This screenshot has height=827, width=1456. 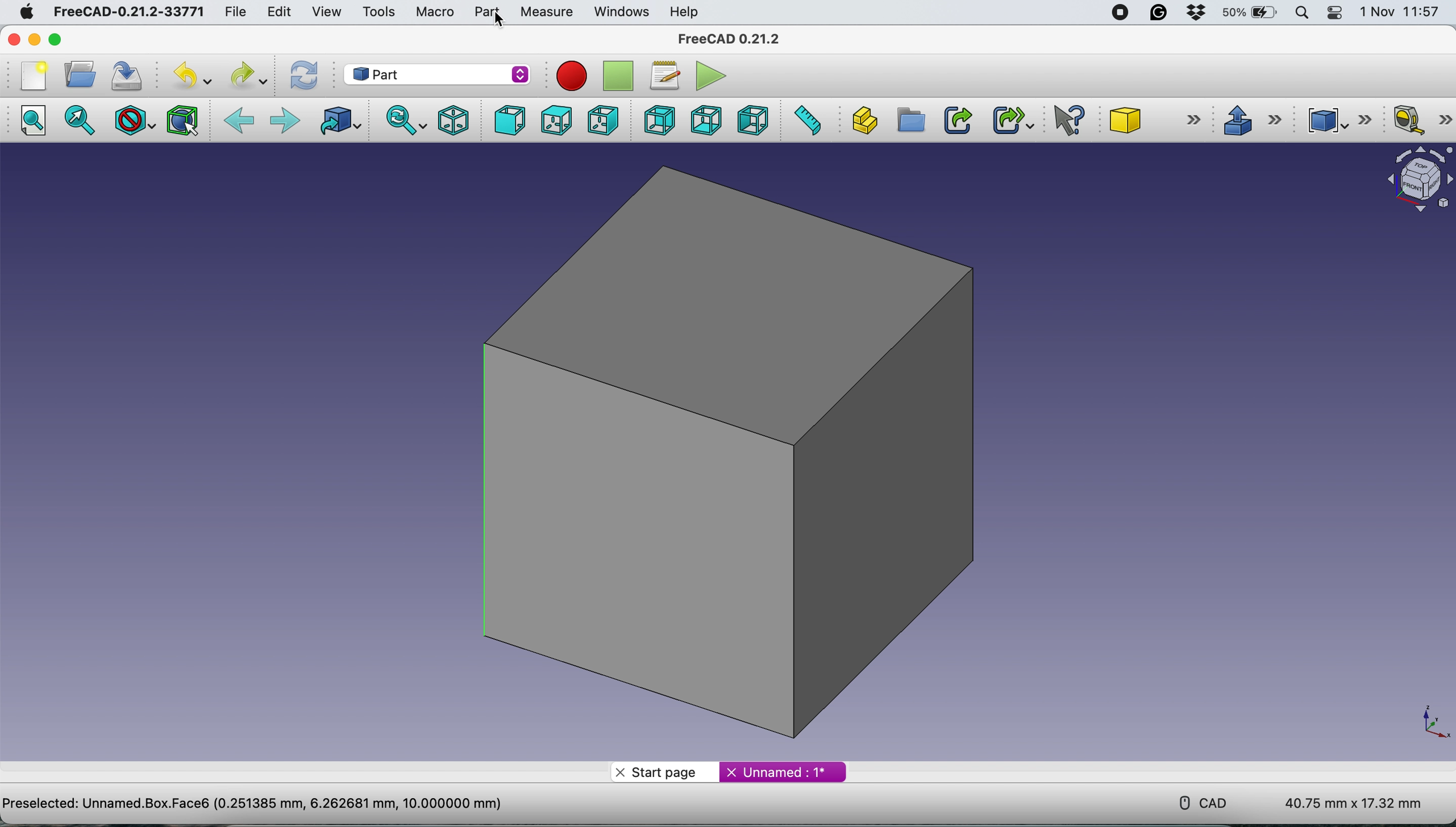 What do you see at coordinates (278, 12) in the screenshot?
I see `edit` at bounding box center [278, 12].